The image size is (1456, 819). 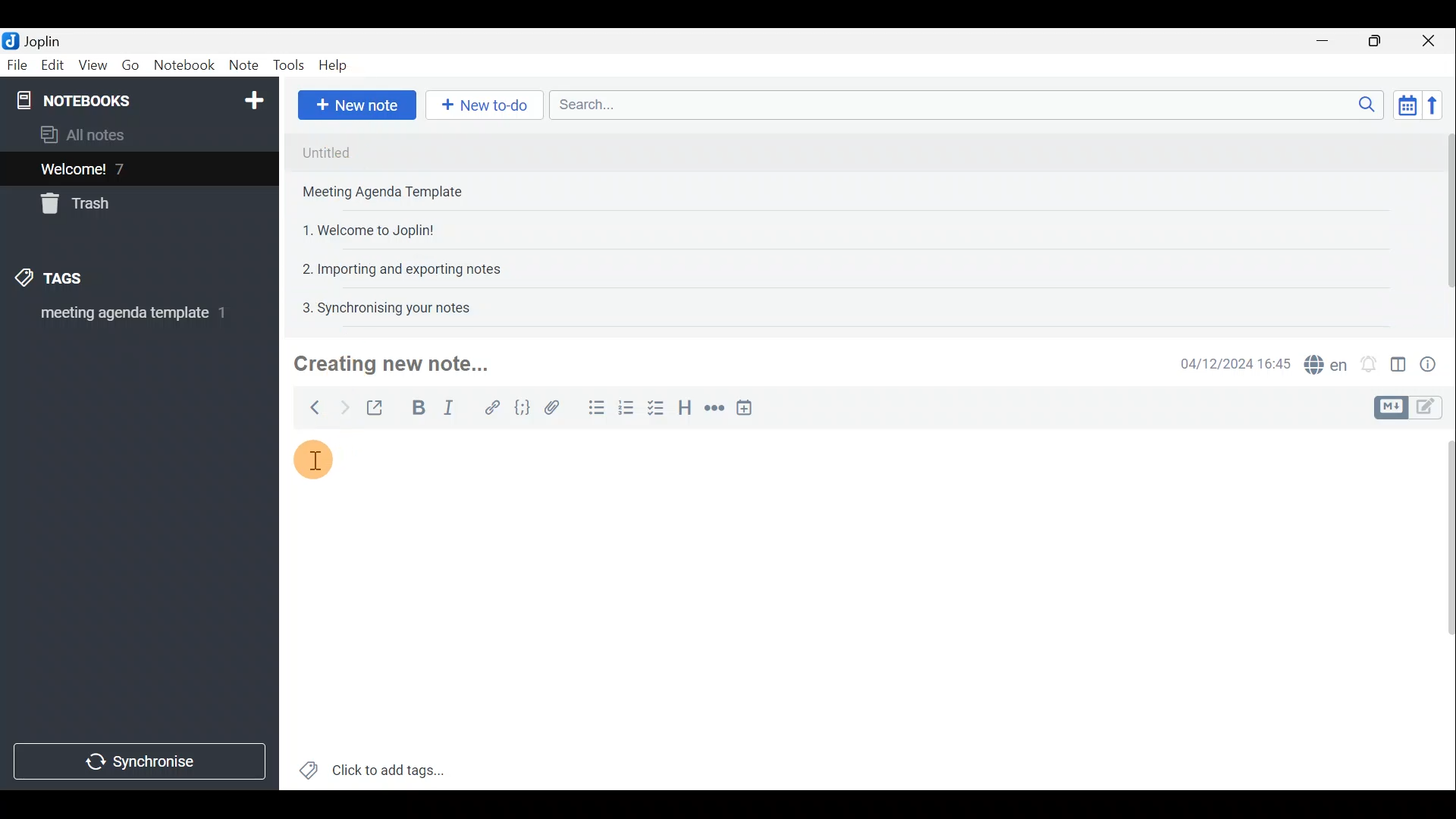 I want to click on Joplin, so click(x=36, y=40).